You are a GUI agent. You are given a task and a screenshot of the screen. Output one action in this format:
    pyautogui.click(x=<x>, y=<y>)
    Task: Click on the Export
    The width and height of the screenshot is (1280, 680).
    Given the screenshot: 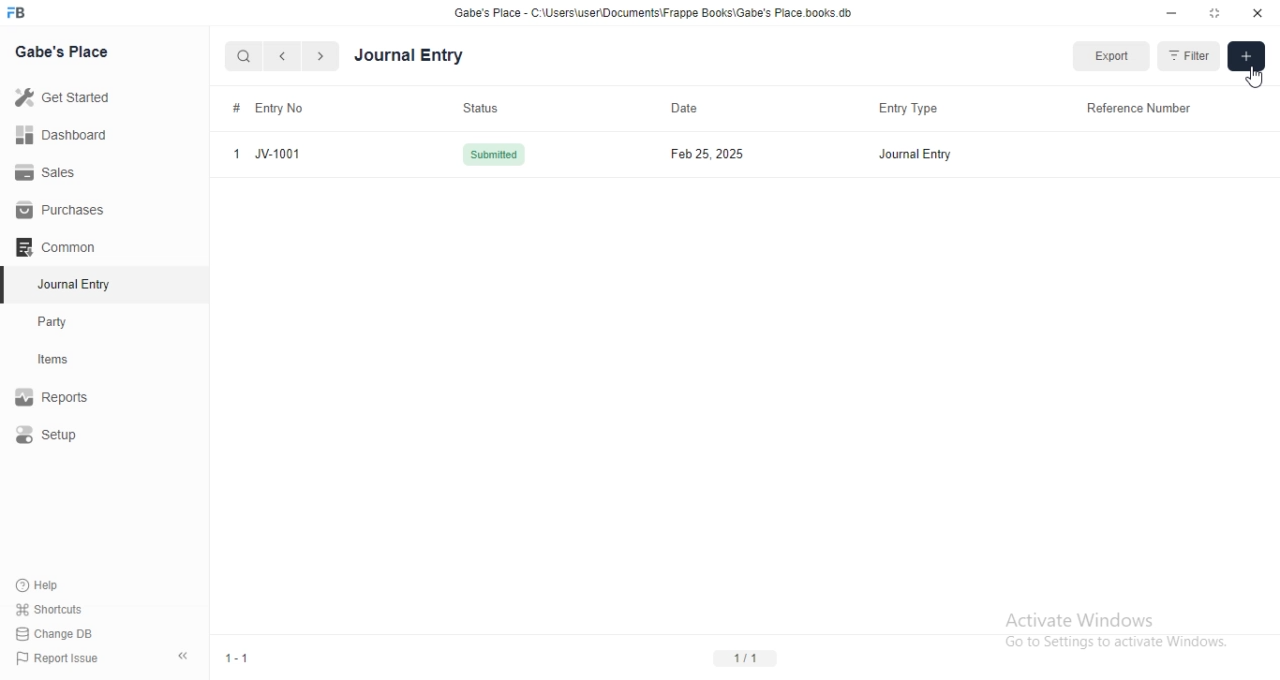 What is the action you would take?
    pyautogui.click(x=1114, y=56)
    